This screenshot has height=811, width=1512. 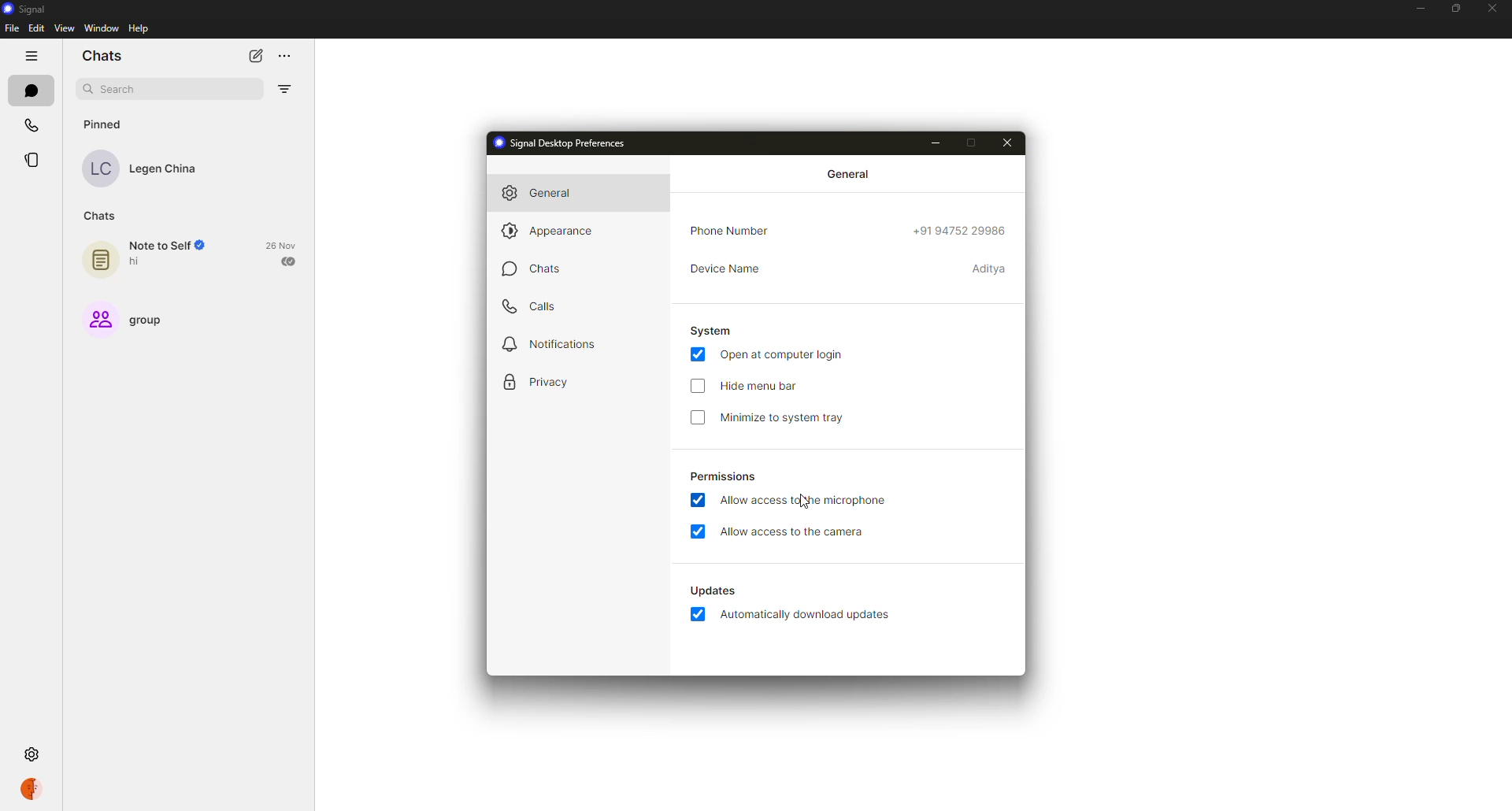 What do you see at coordinates (28, 124) in the screenshot?
I see `calls` at bounding box center [28, 124].